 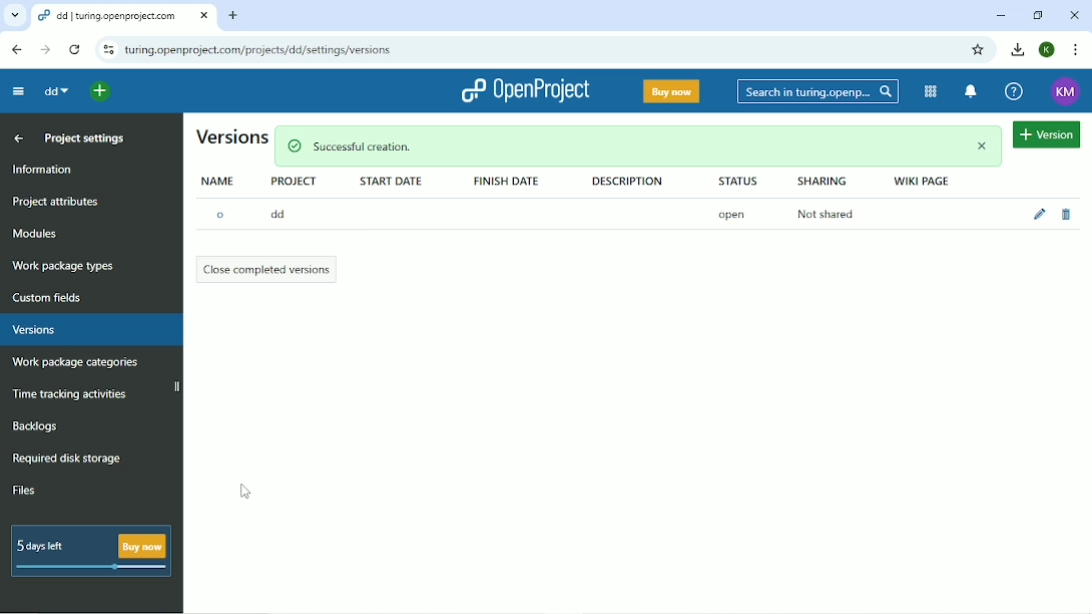 What do you see at coordinates (511, 182) in the screenshot?
I see `Finish date` at bounding box center [511, 182].